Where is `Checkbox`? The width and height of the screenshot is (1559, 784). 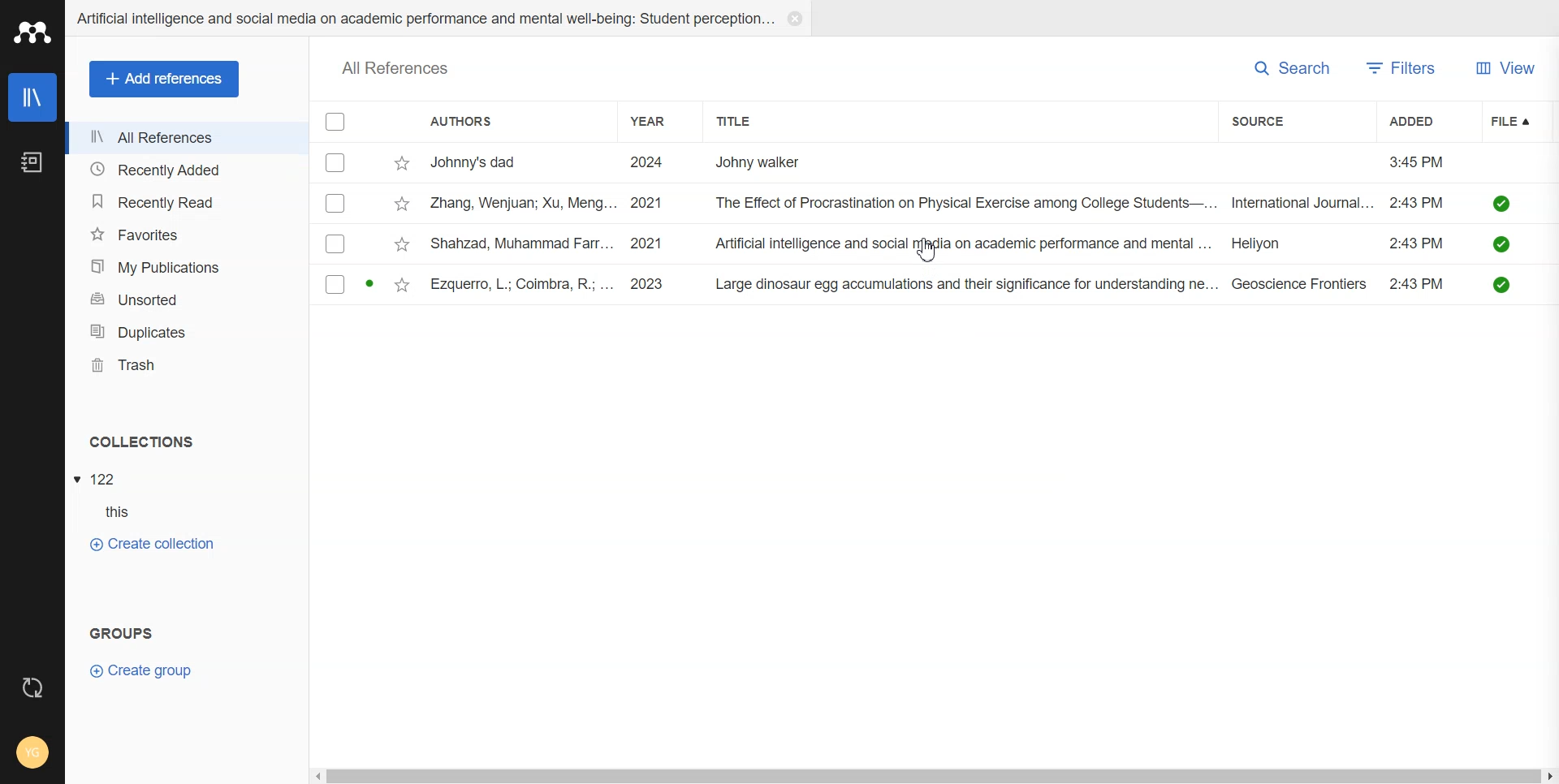
Checkbox is located at coordinates (335, 284).